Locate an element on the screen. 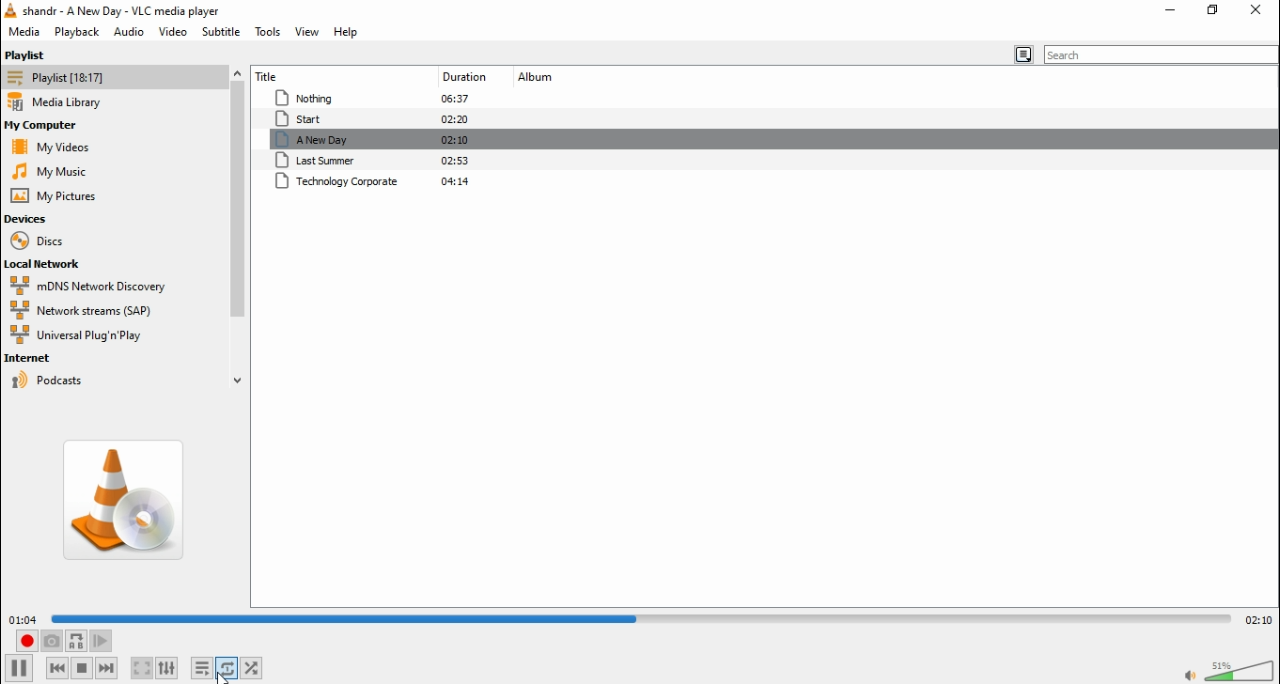 The width and height of the screenshot is (1280, 684). play/pause is located at coordinates (18, 669).